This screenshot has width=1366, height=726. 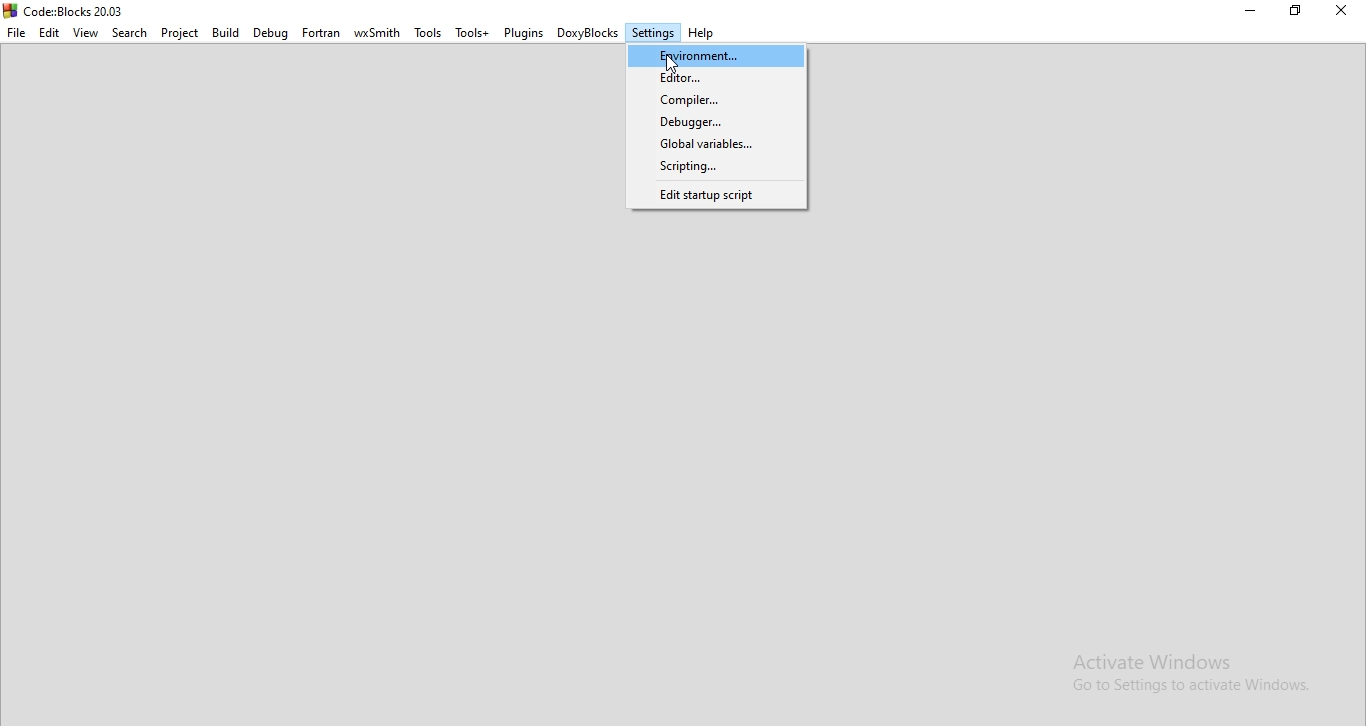 I want to click on Debugger, so click(x=717, y=121).